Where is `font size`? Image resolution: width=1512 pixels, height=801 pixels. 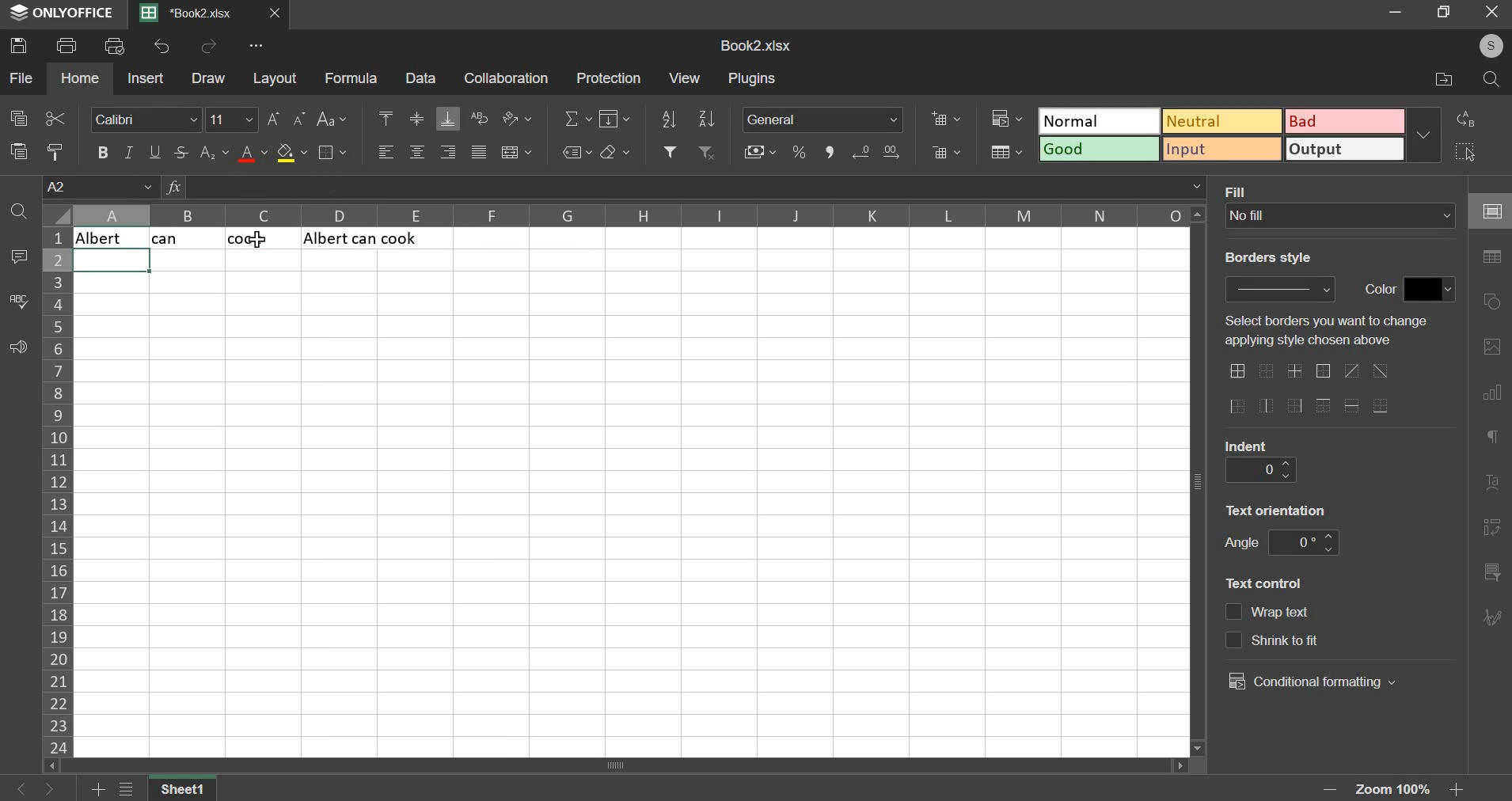
font size is located at coordinates (232, 119).